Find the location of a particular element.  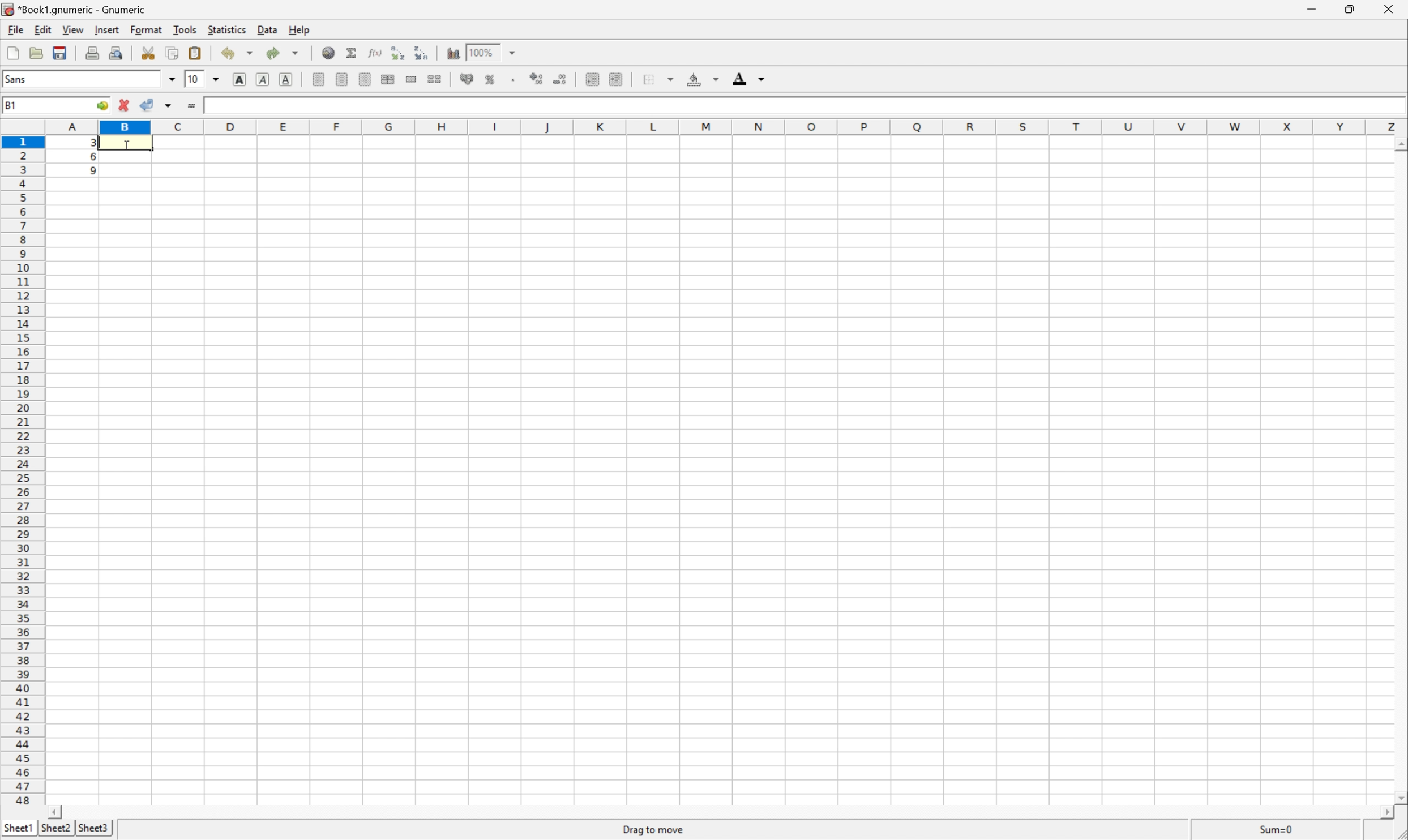

Align Left is located at coordinates (317, 80).